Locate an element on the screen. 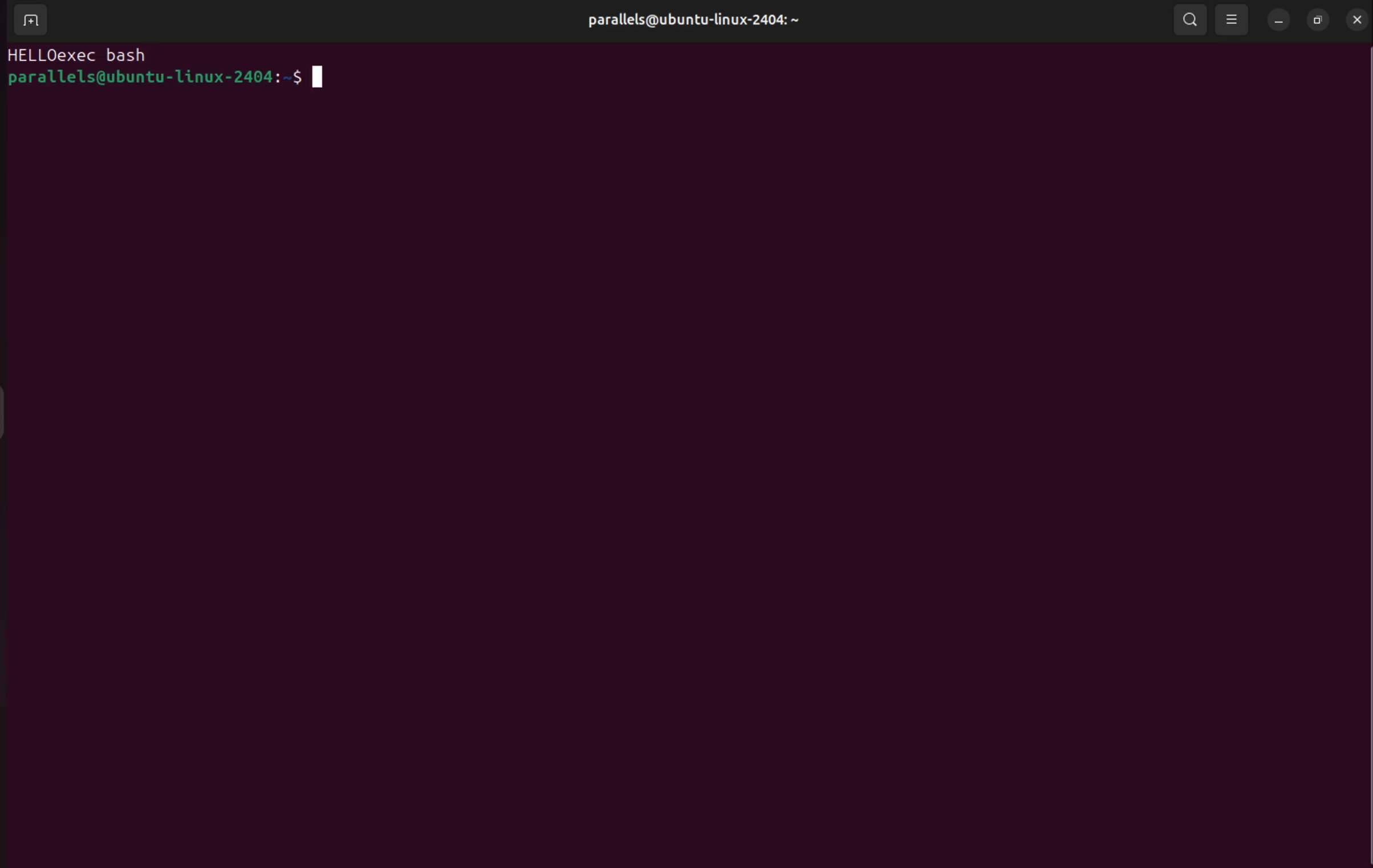 This screenshot has width=1373, height=868. username is located at coordinates (720, 21).